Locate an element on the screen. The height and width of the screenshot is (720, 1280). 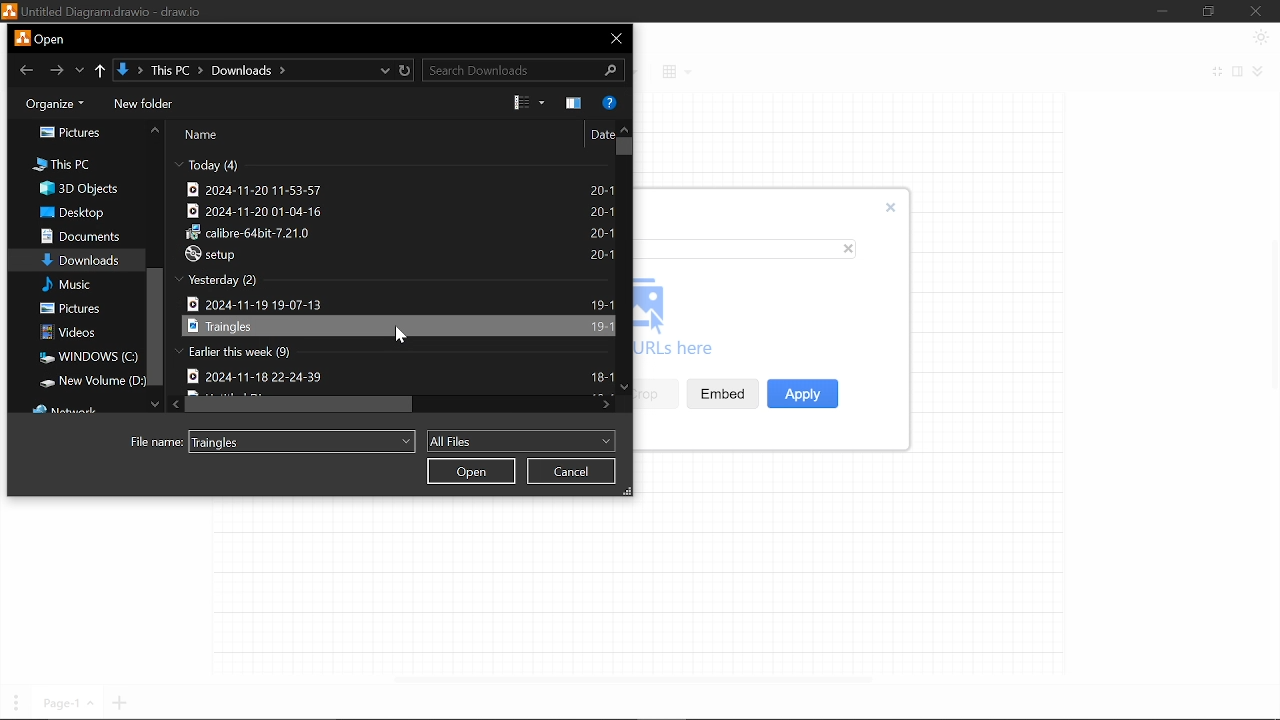
Move right in files in "Download" is located at coordinates (176, 405).